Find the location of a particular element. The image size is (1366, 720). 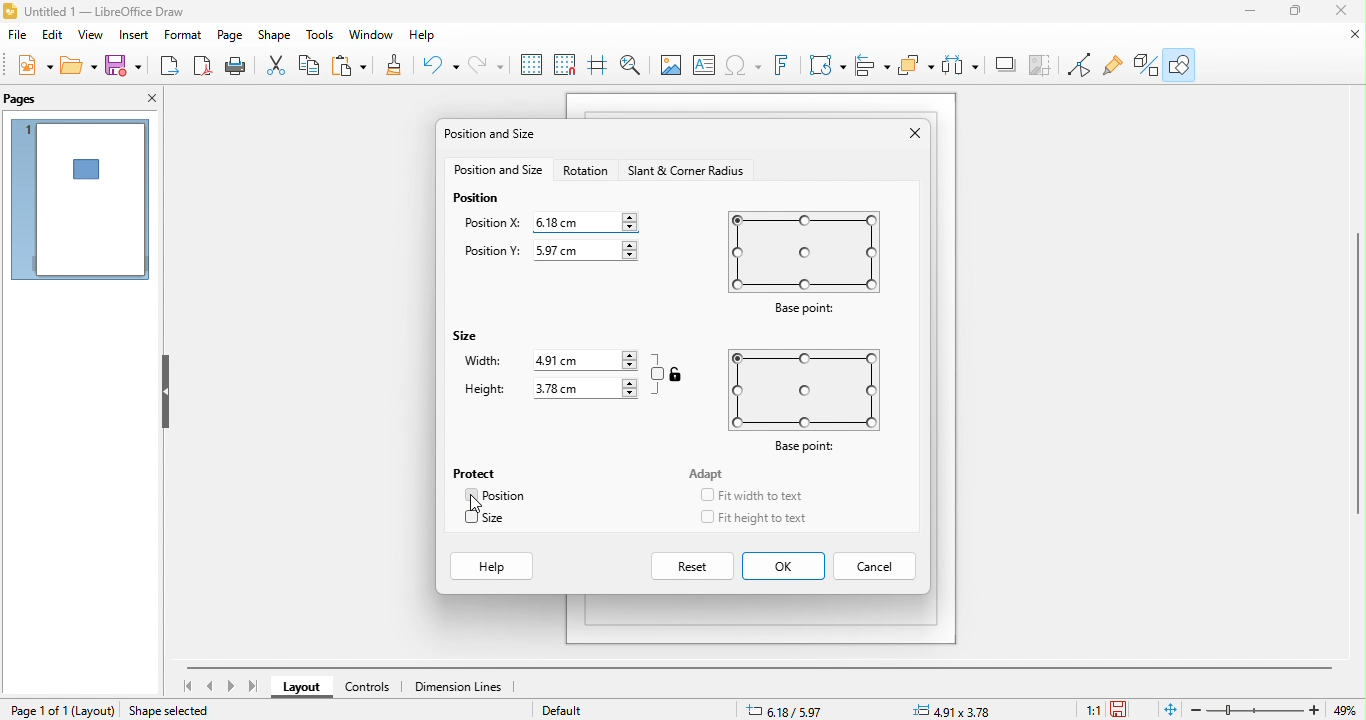

position y is located at coordinates (495, 252).